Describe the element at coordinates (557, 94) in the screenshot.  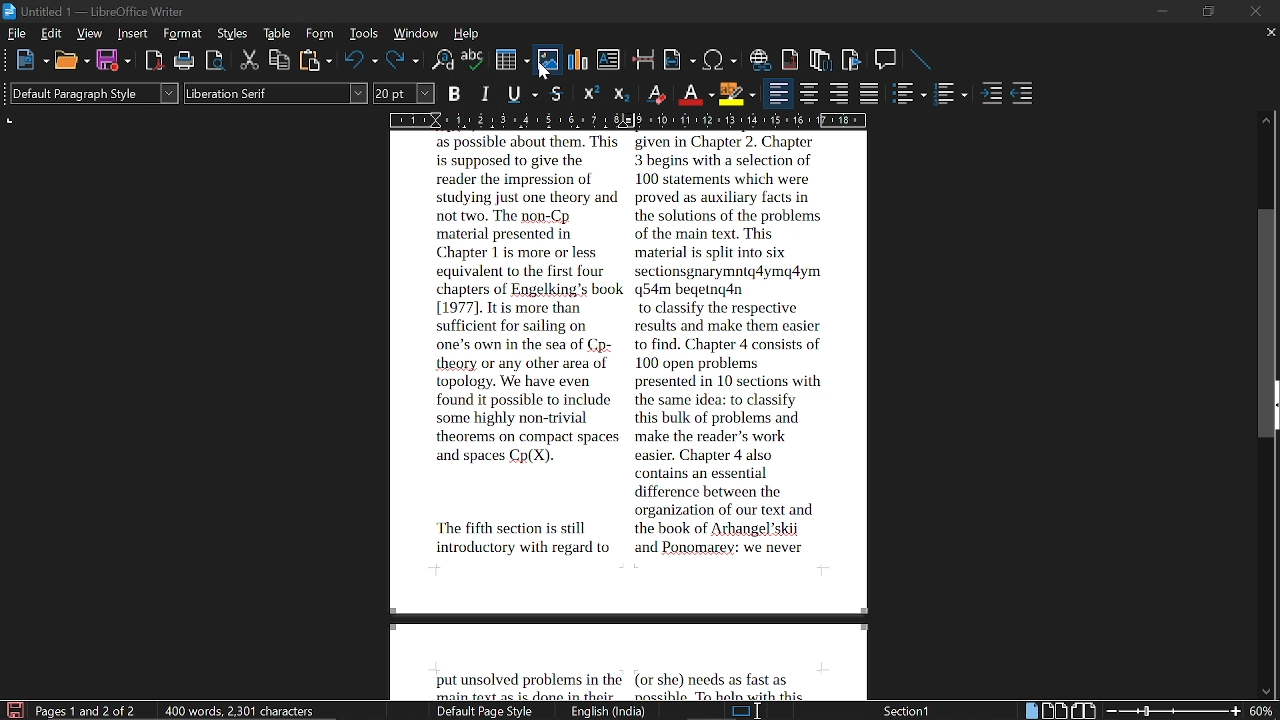
I see `strikethrough` at that location.